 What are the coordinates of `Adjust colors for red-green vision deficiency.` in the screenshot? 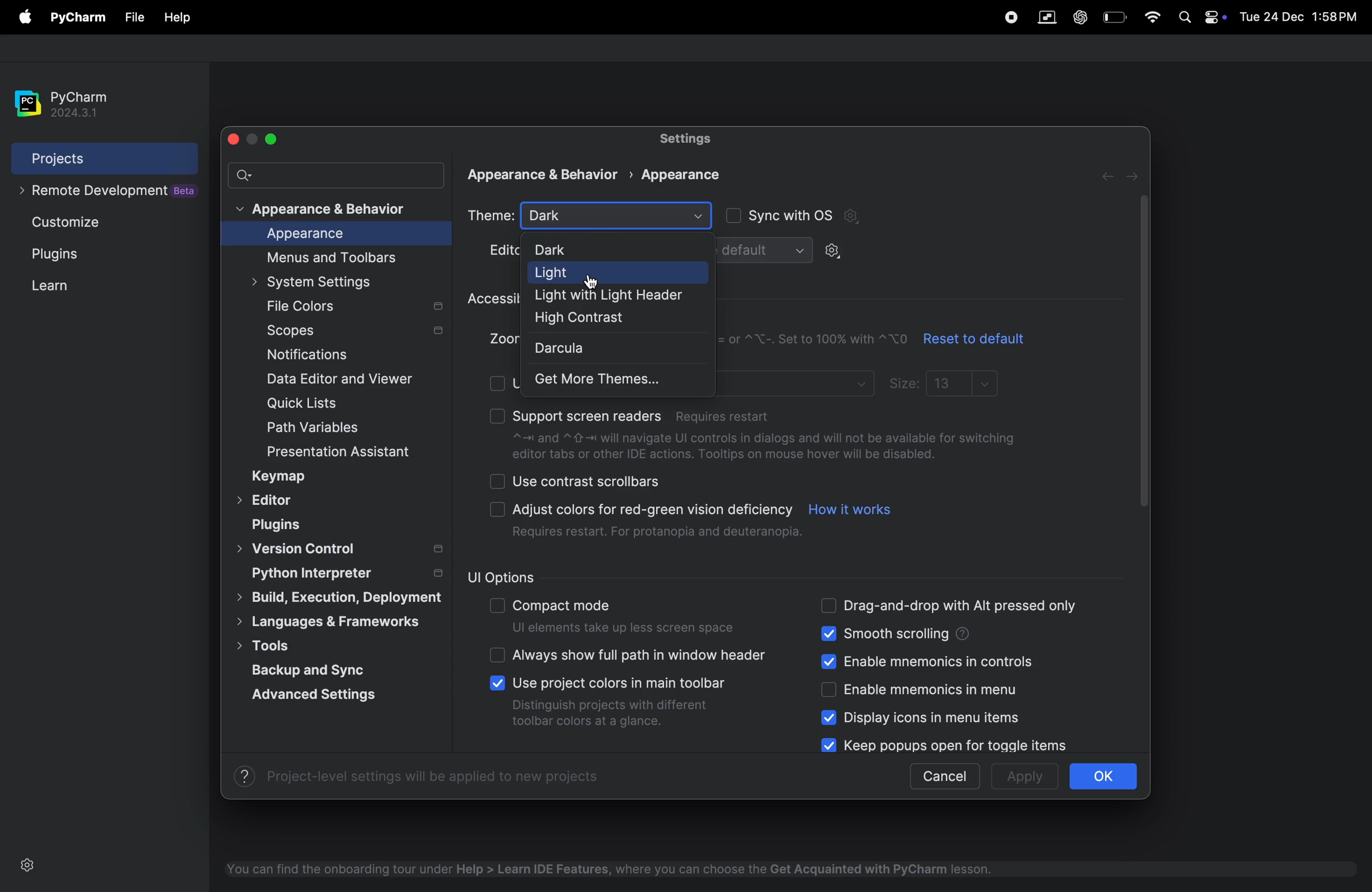 It's located at (650, 509).